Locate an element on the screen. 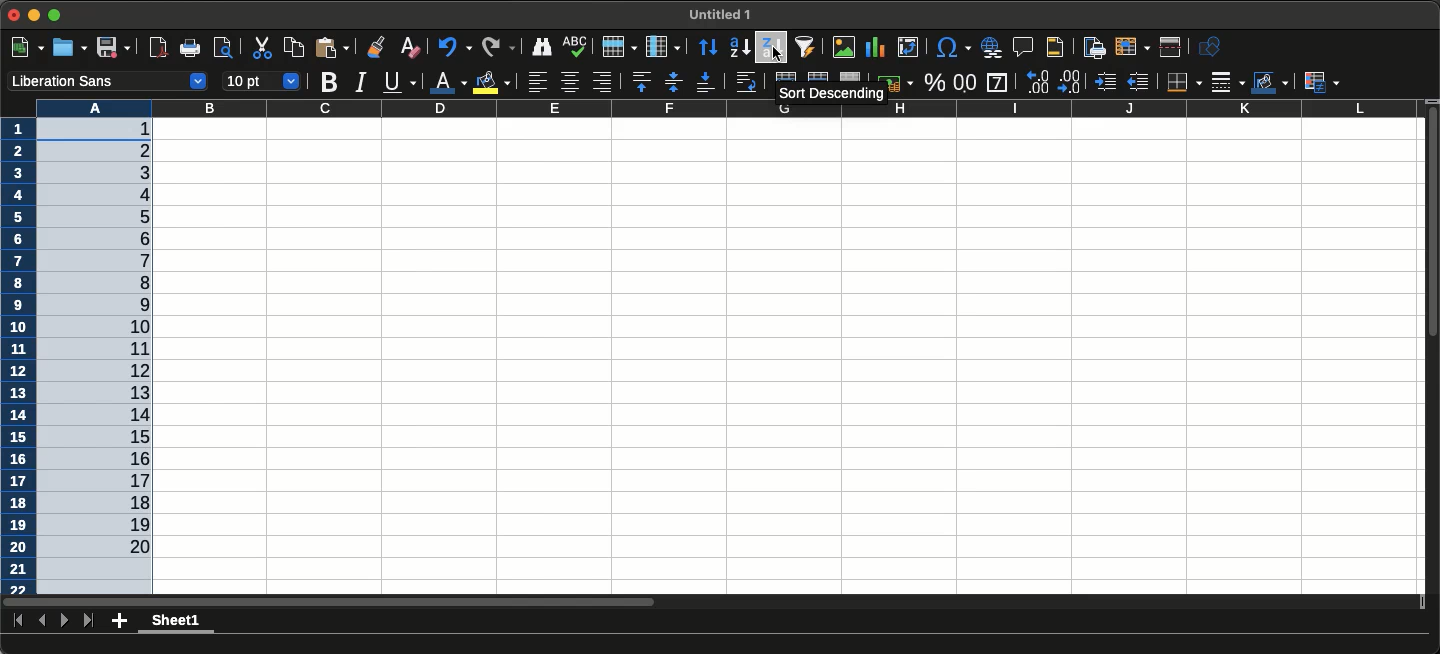  Center vertically is located at coordinates (670, 81).